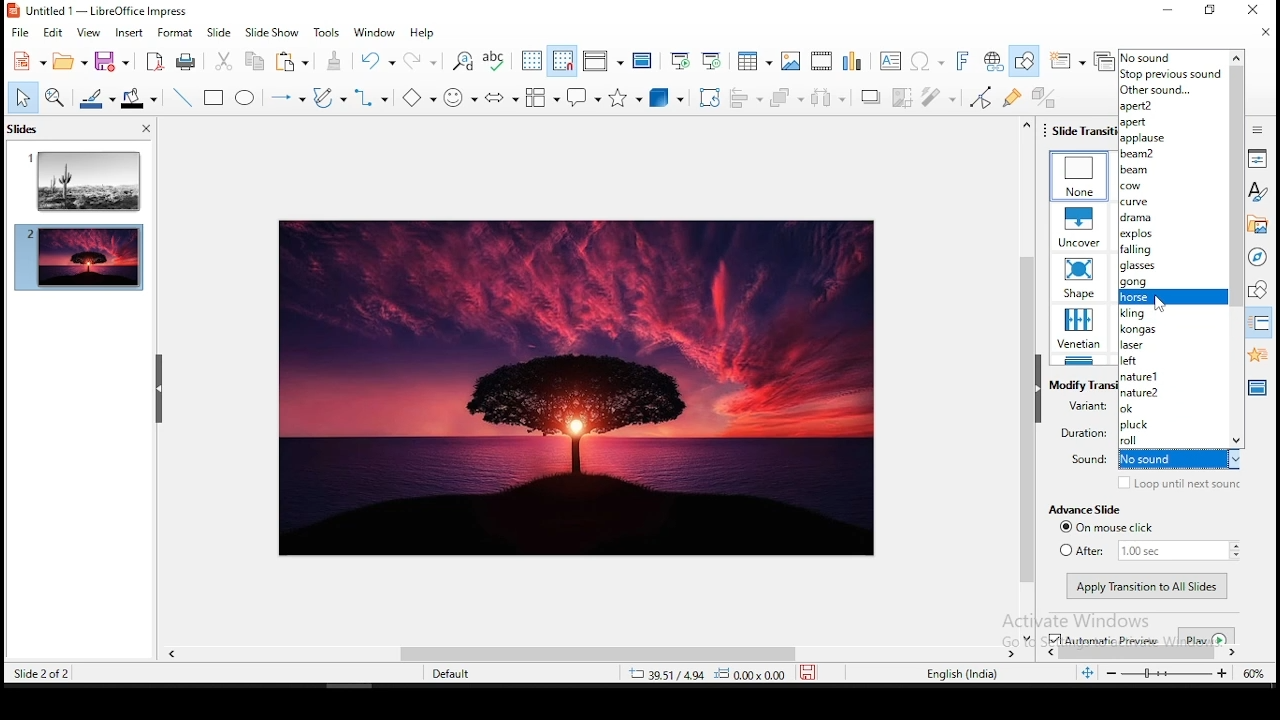 The height and width of the screenshot is (720, 1280). I want to click on rectangle, so click(216, 98).